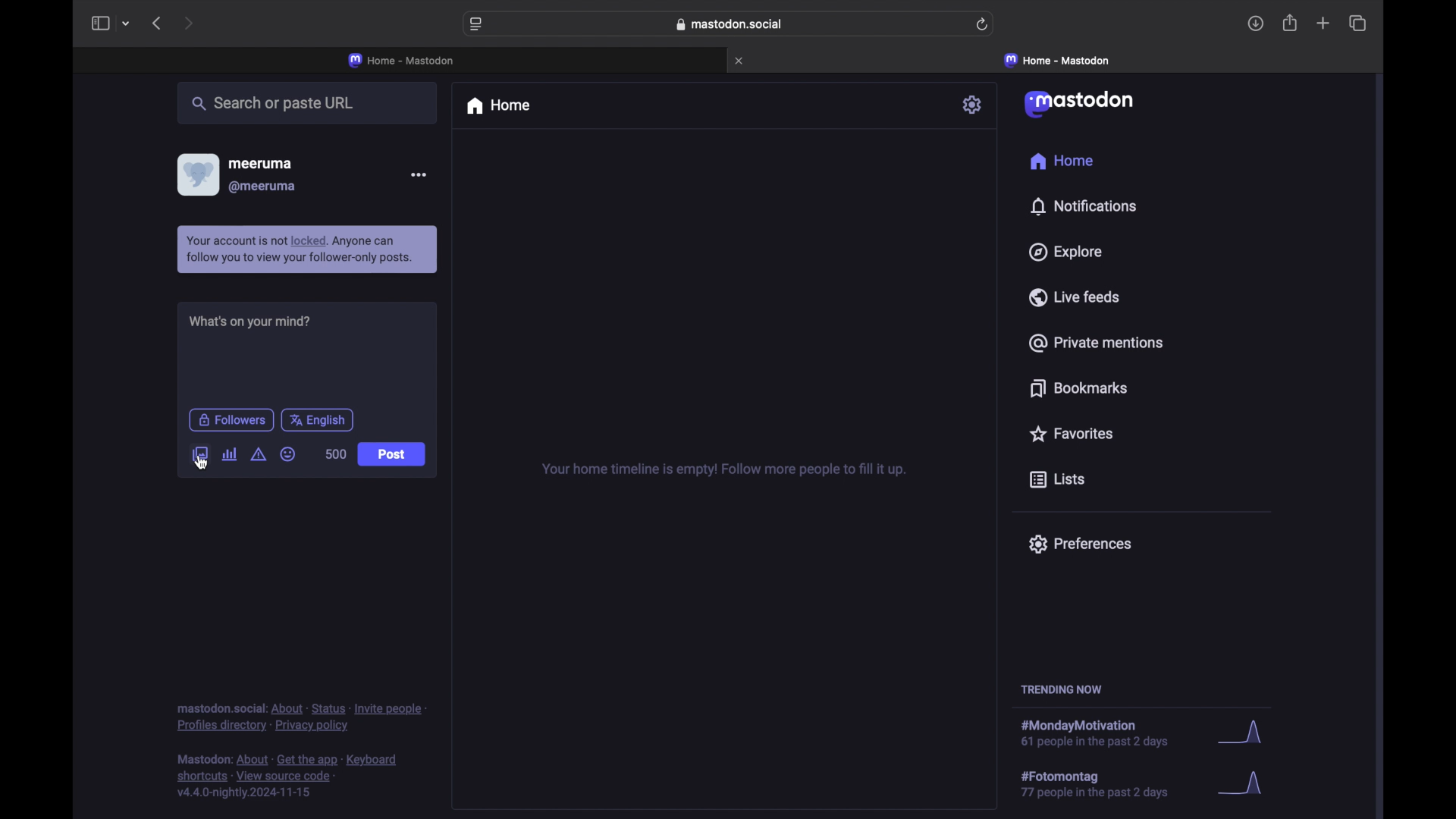  I want to click on trending now, so click(1061, 689).